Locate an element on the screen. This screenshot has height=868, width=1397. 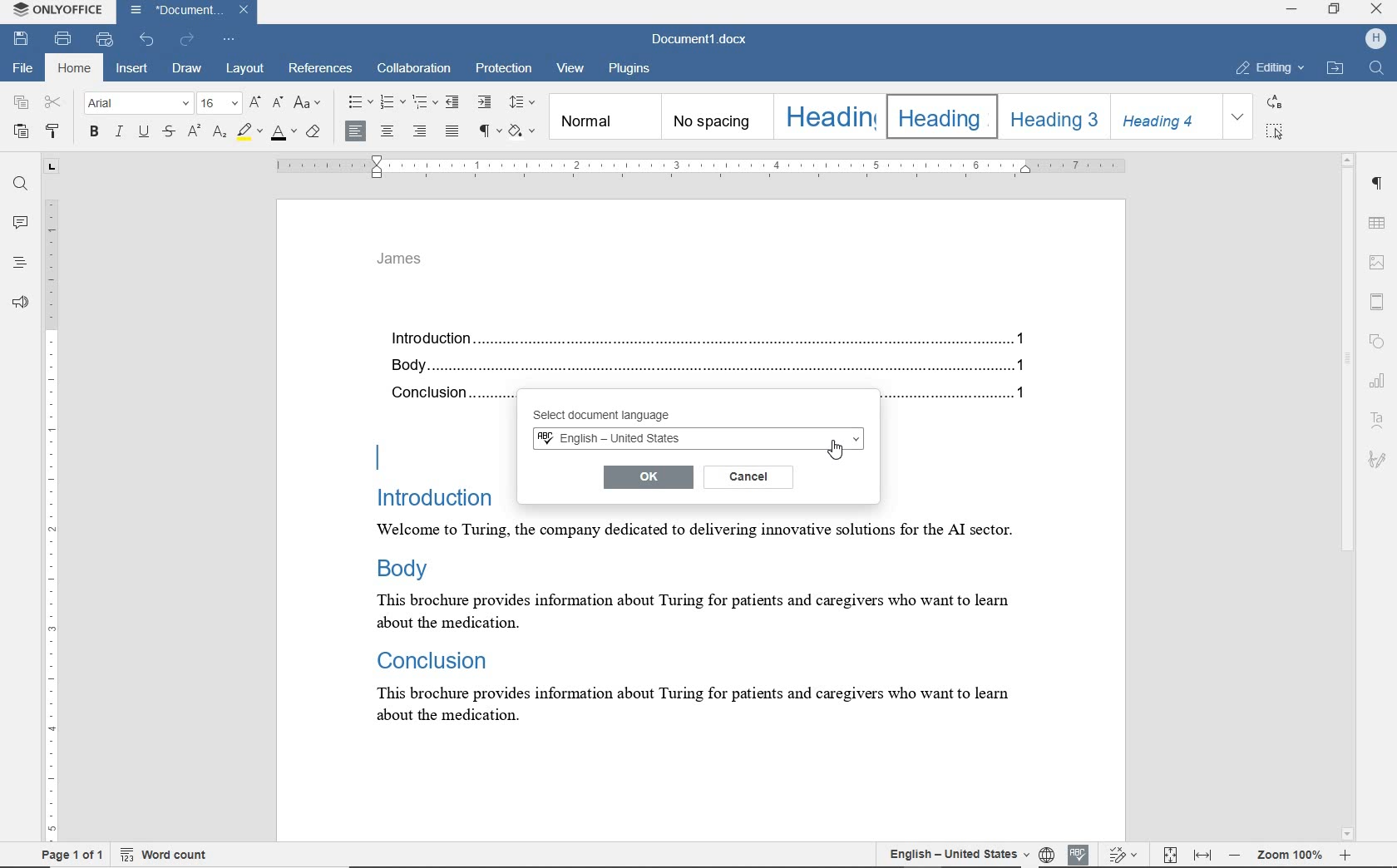
font is located at coordinates (139, 104).